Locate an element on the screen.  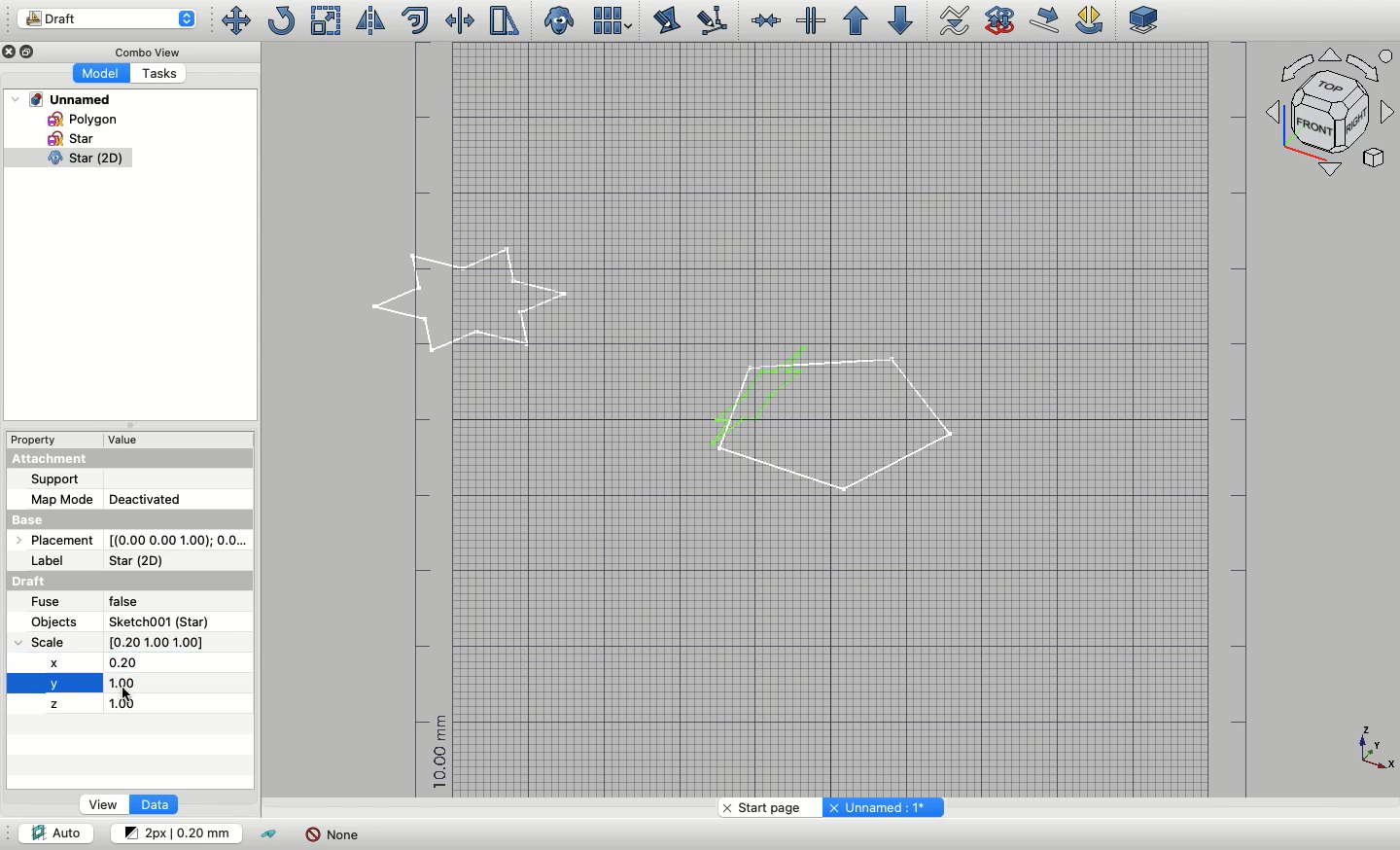
Mirror is located at coordinates (368, 20).